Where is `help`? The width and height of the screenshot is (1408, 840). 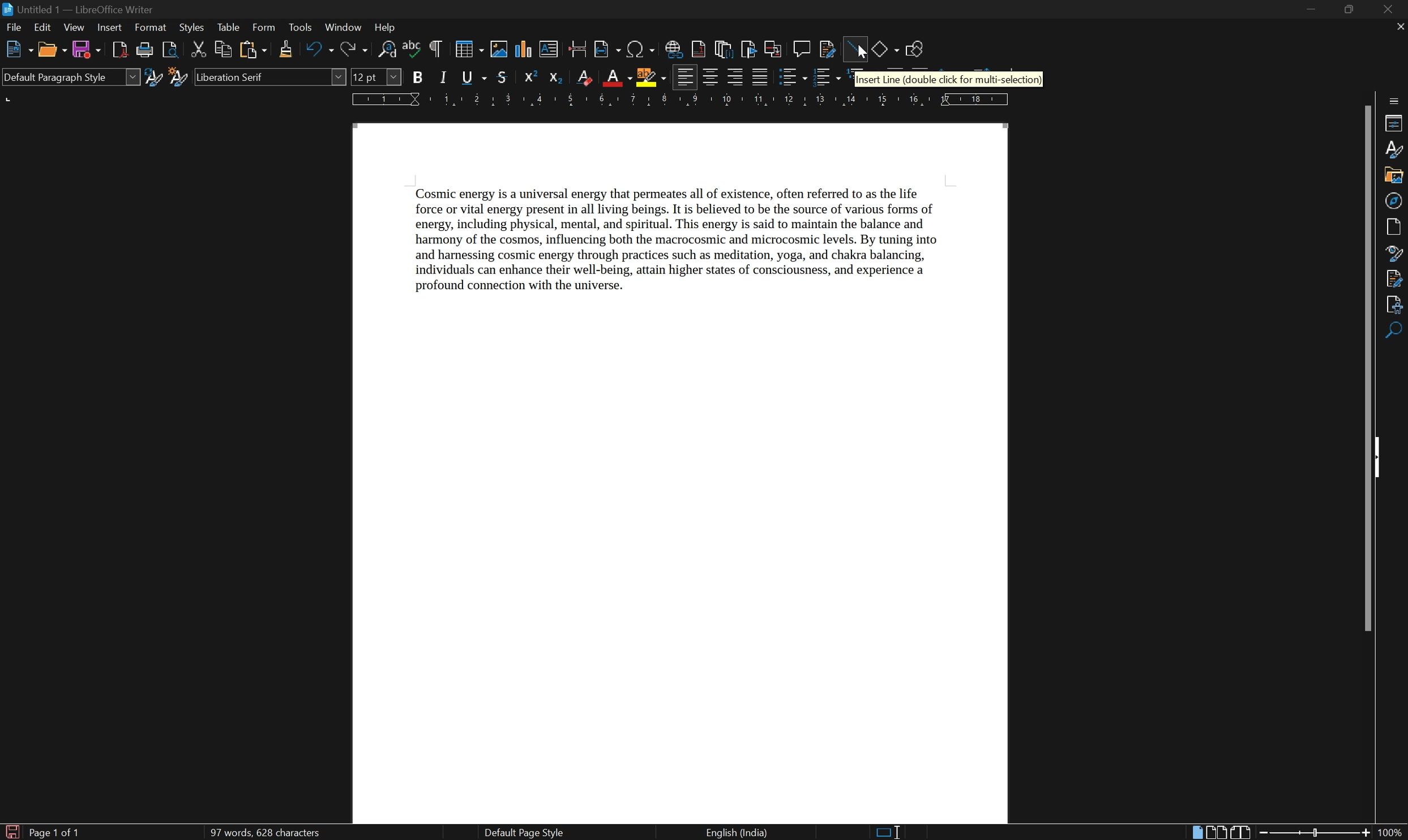
help is located at coordinates (388, 28).